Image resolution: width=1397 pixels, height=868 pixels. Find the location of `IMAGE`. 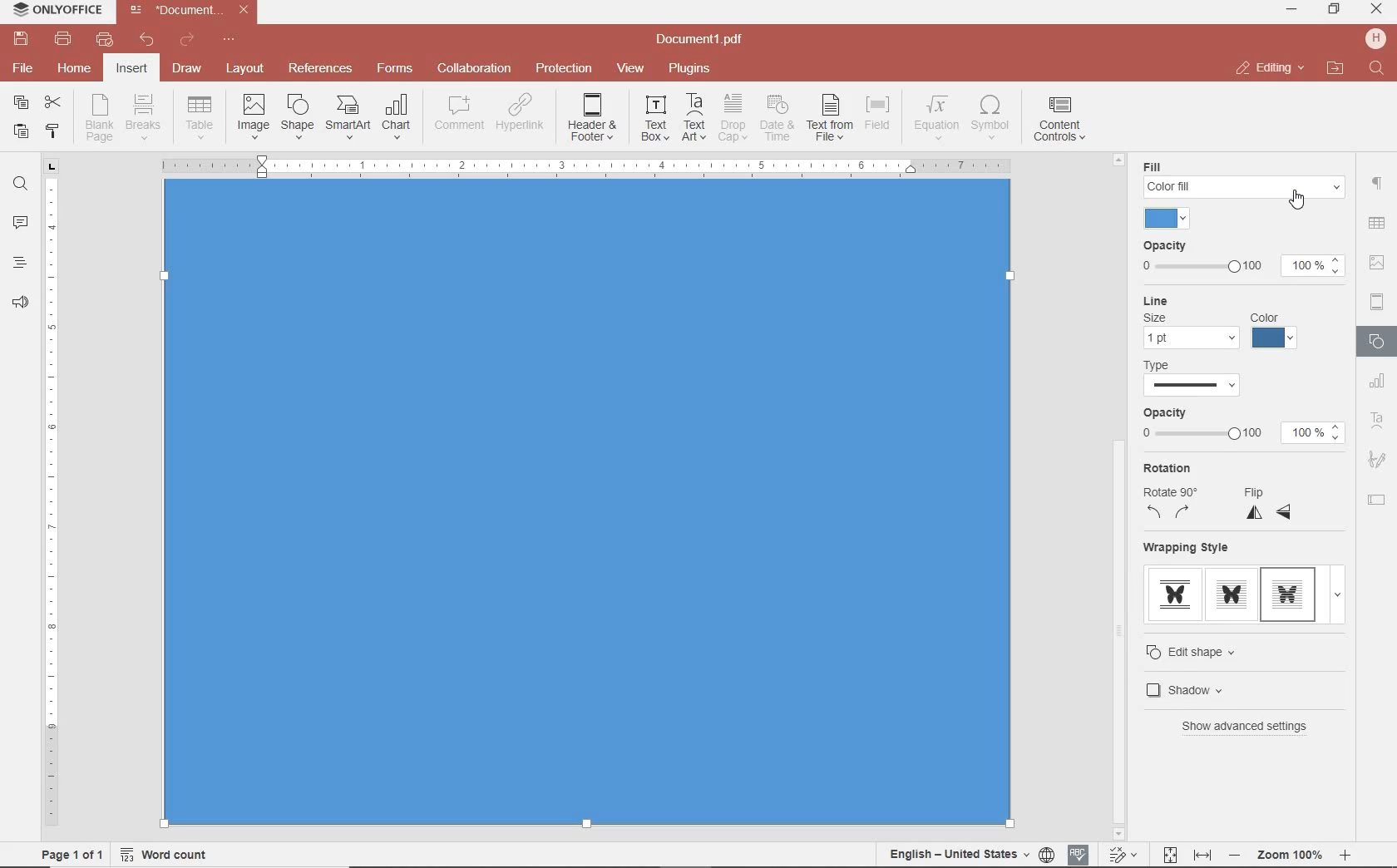

IMAGE is located at coordinates (1378, 264).